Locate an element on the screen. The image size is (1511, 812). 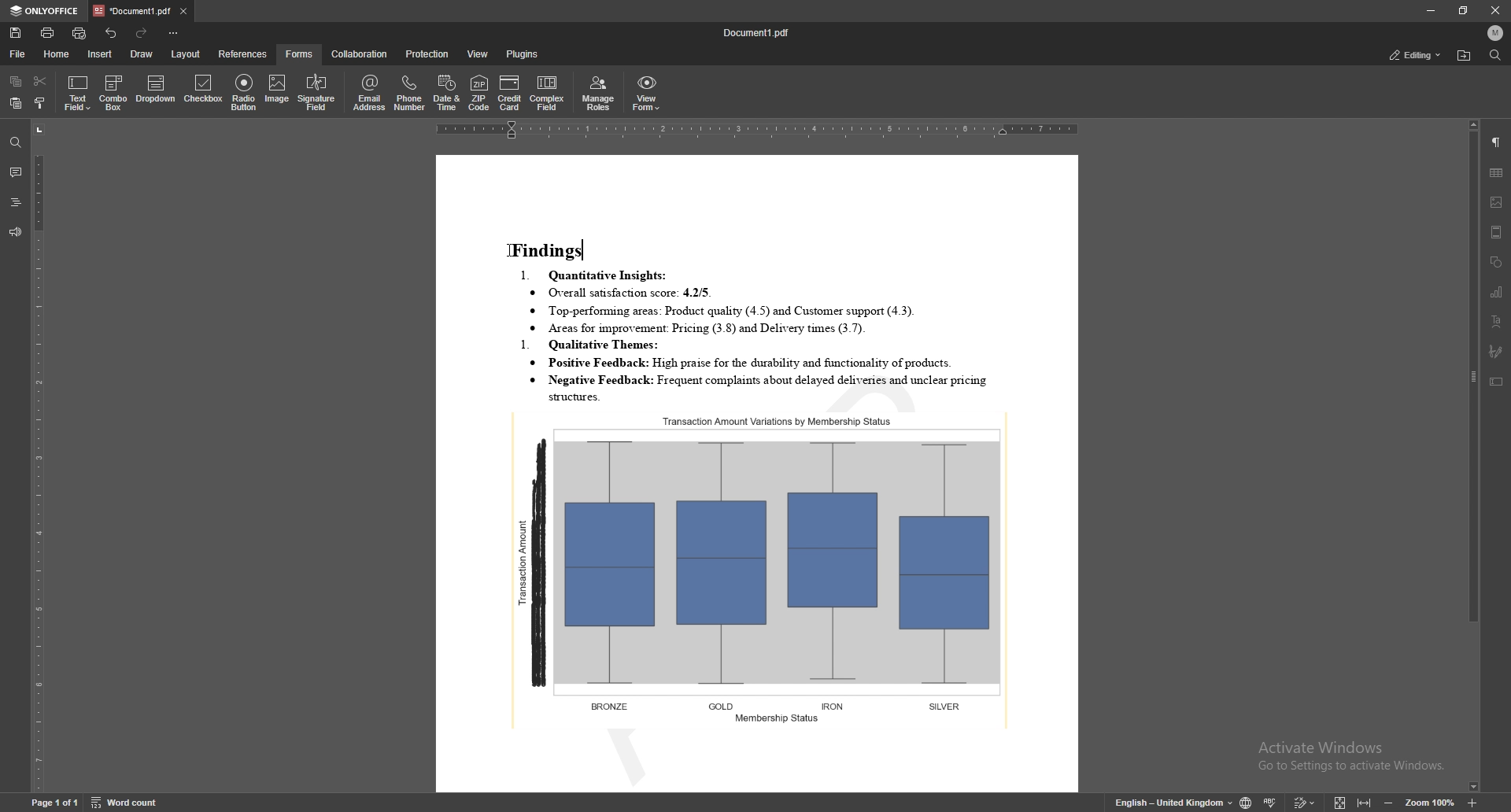
cut is located at coordinates (40, 79).